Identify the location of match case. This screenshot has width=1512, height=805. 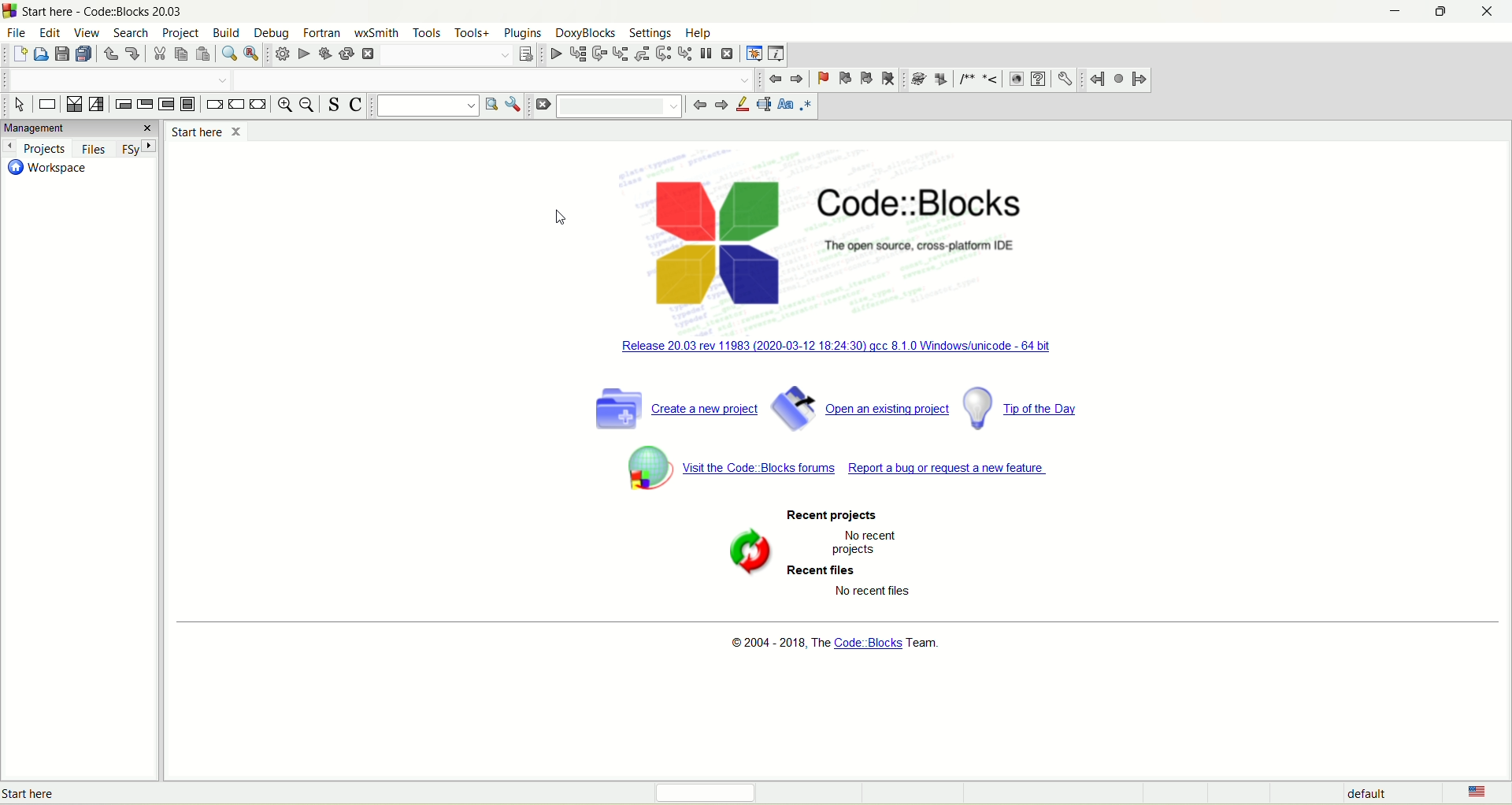
(785, 105).